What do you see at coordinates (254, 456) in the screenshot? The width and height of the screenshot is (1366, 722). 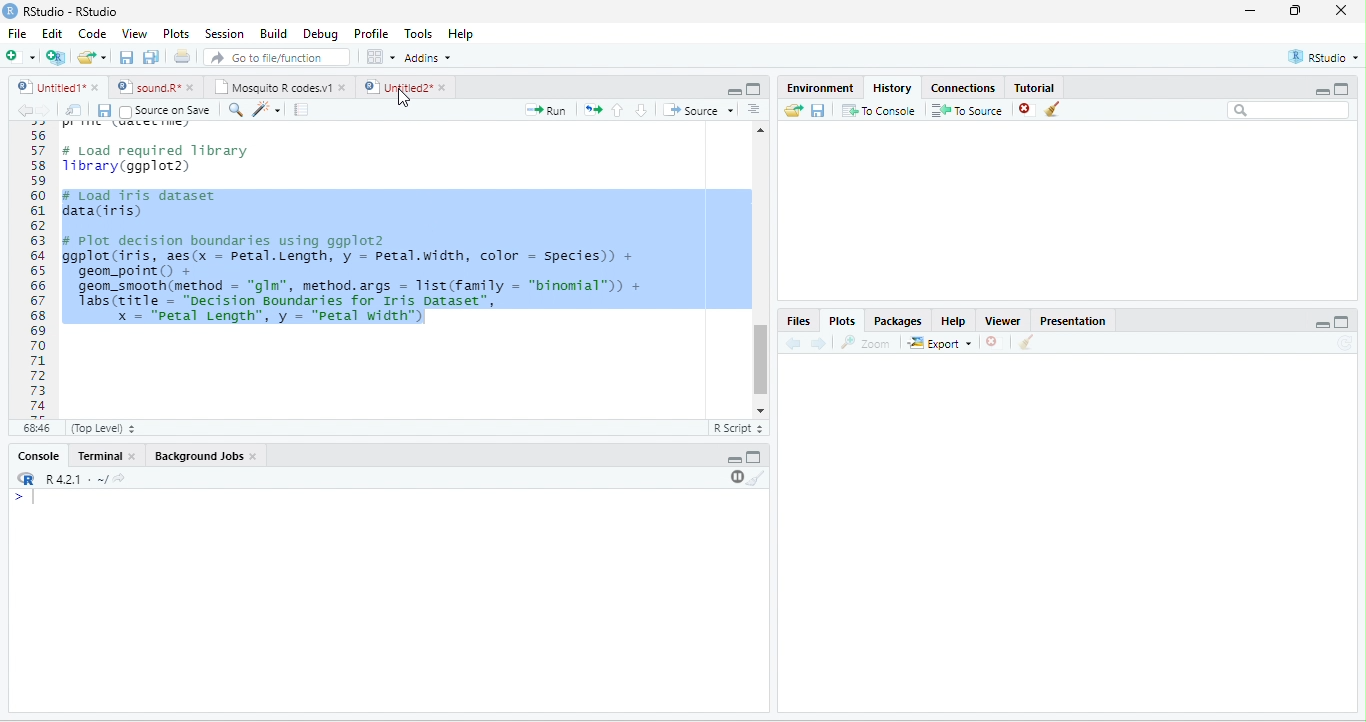 I see `close` at bounding box center [254, 456].